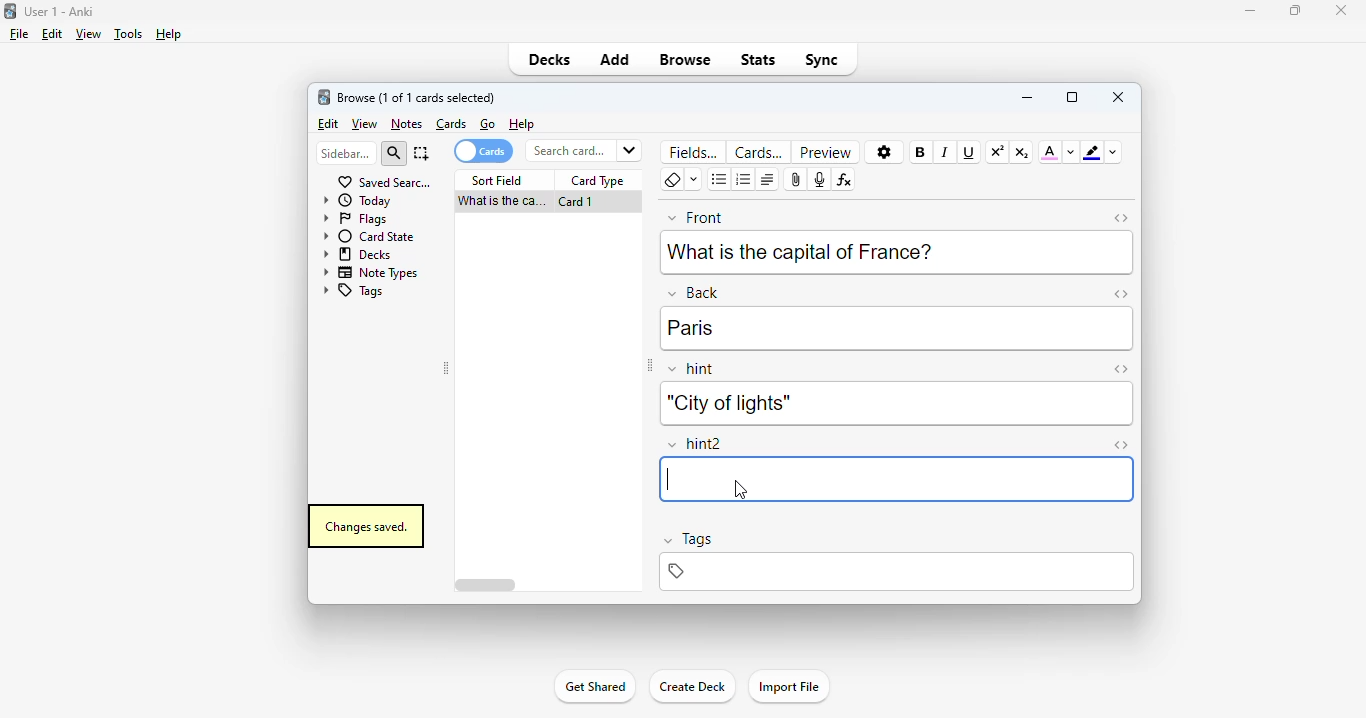 Image resolution: width=1366 pixels, height=718 pixels. I want to click on maximize, so click(1072, 97).